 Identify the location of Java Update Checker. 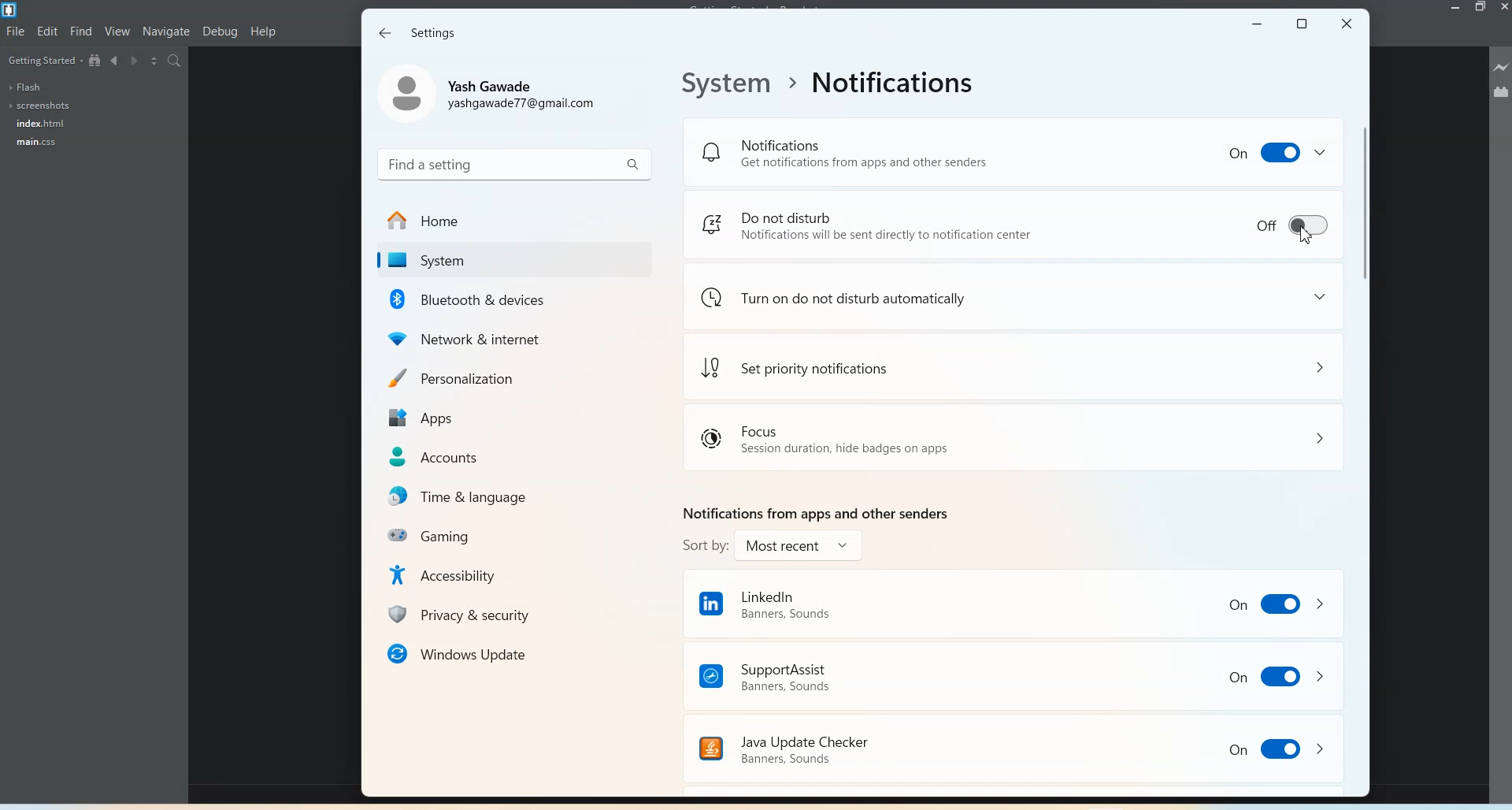
(899, 746).